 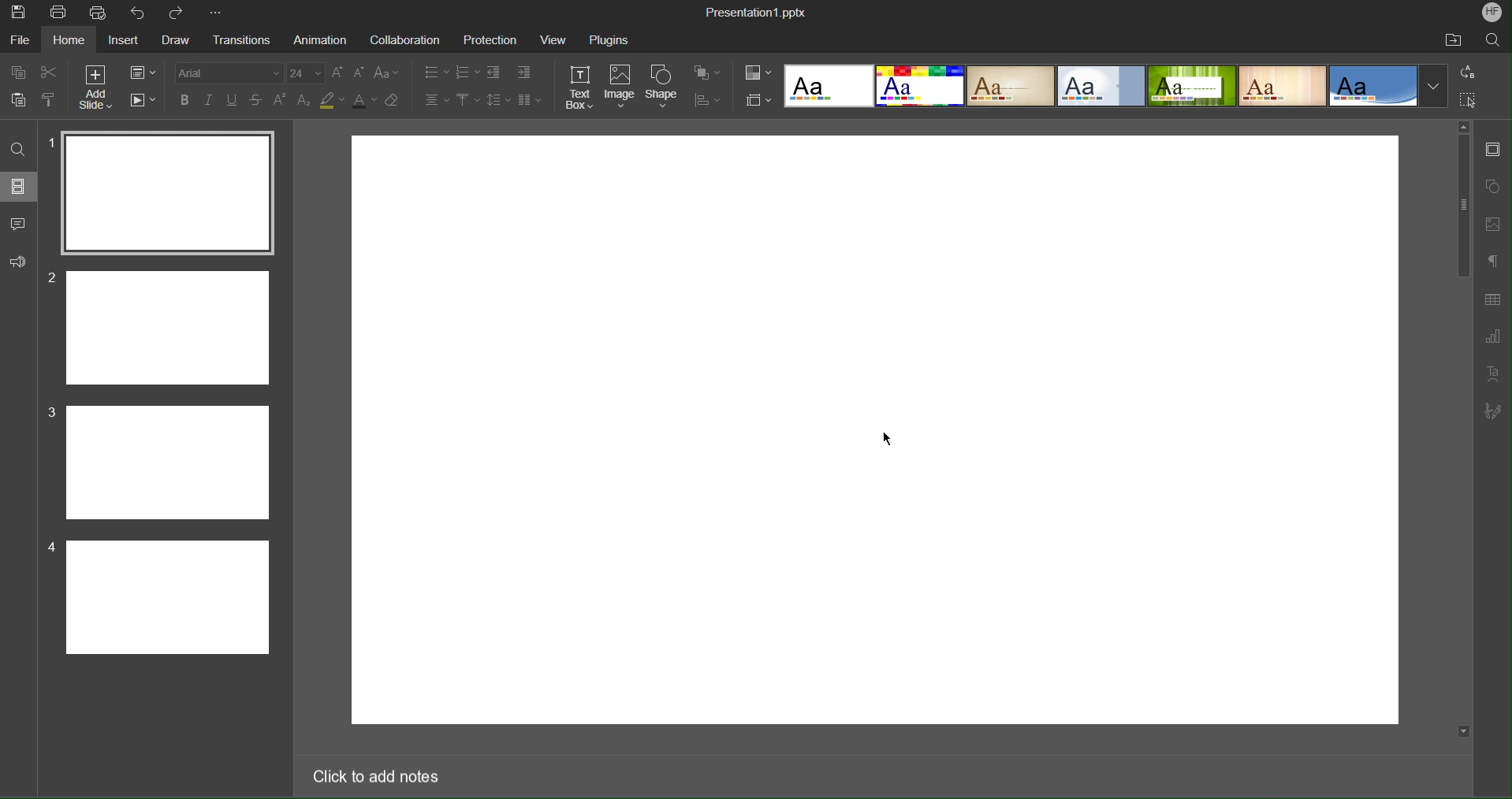 I want to click on Image Settings, so click(x=1494, y=224).